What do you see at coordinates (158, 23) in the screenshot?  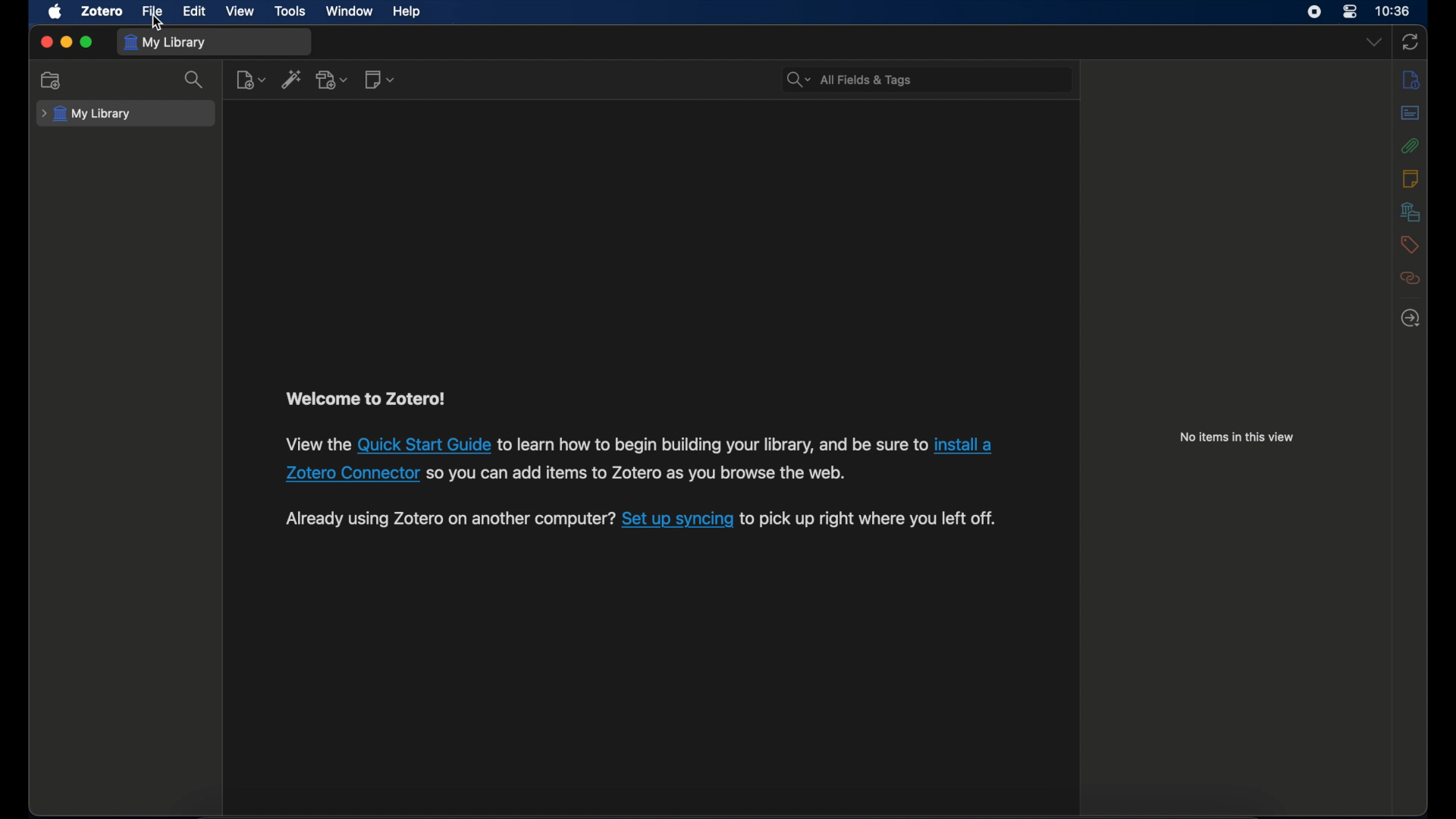 I see `cursor` at bounding box center [158, 23].